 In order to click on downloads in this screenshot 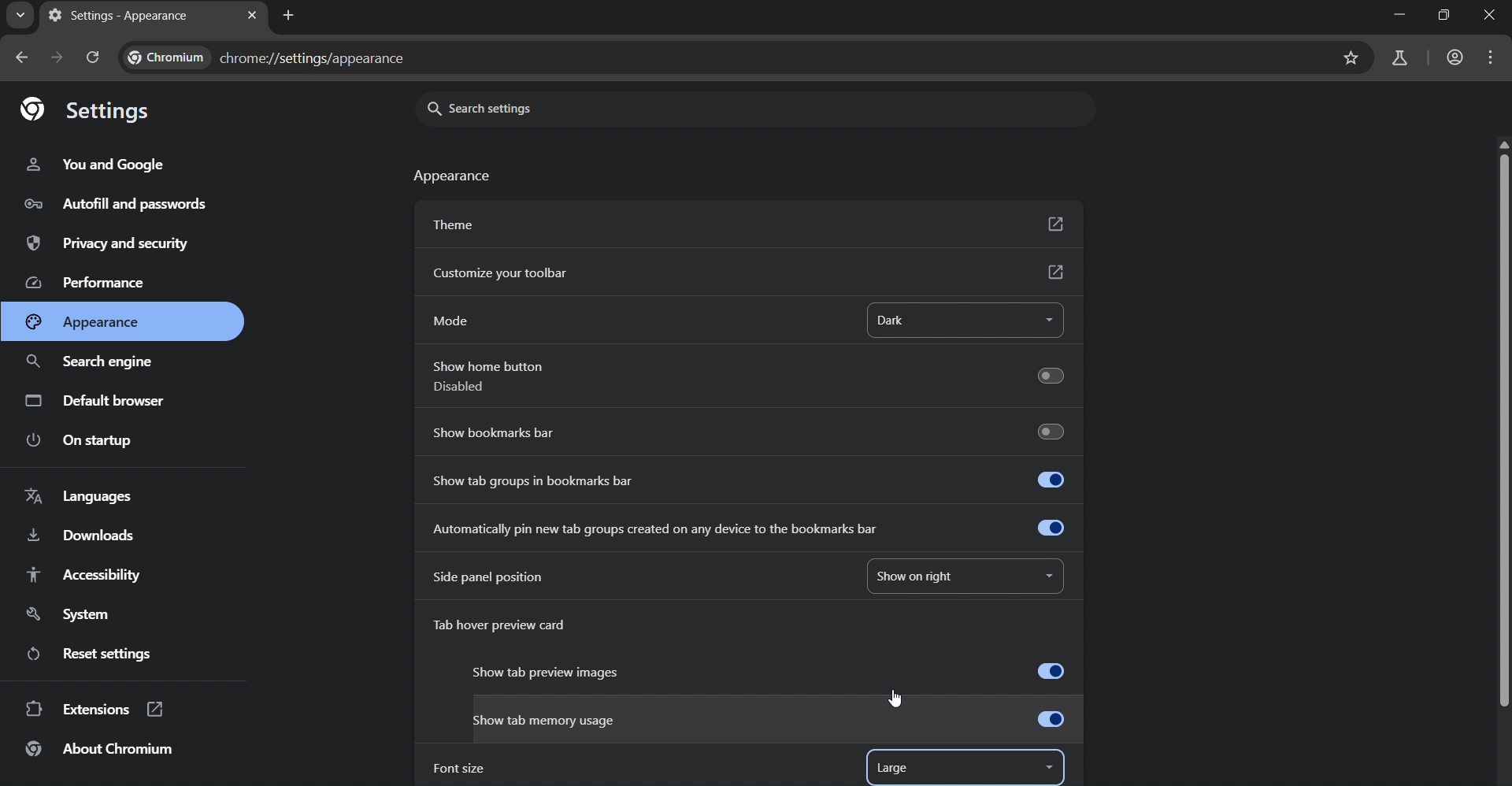, I will do `click(83, 534)`.